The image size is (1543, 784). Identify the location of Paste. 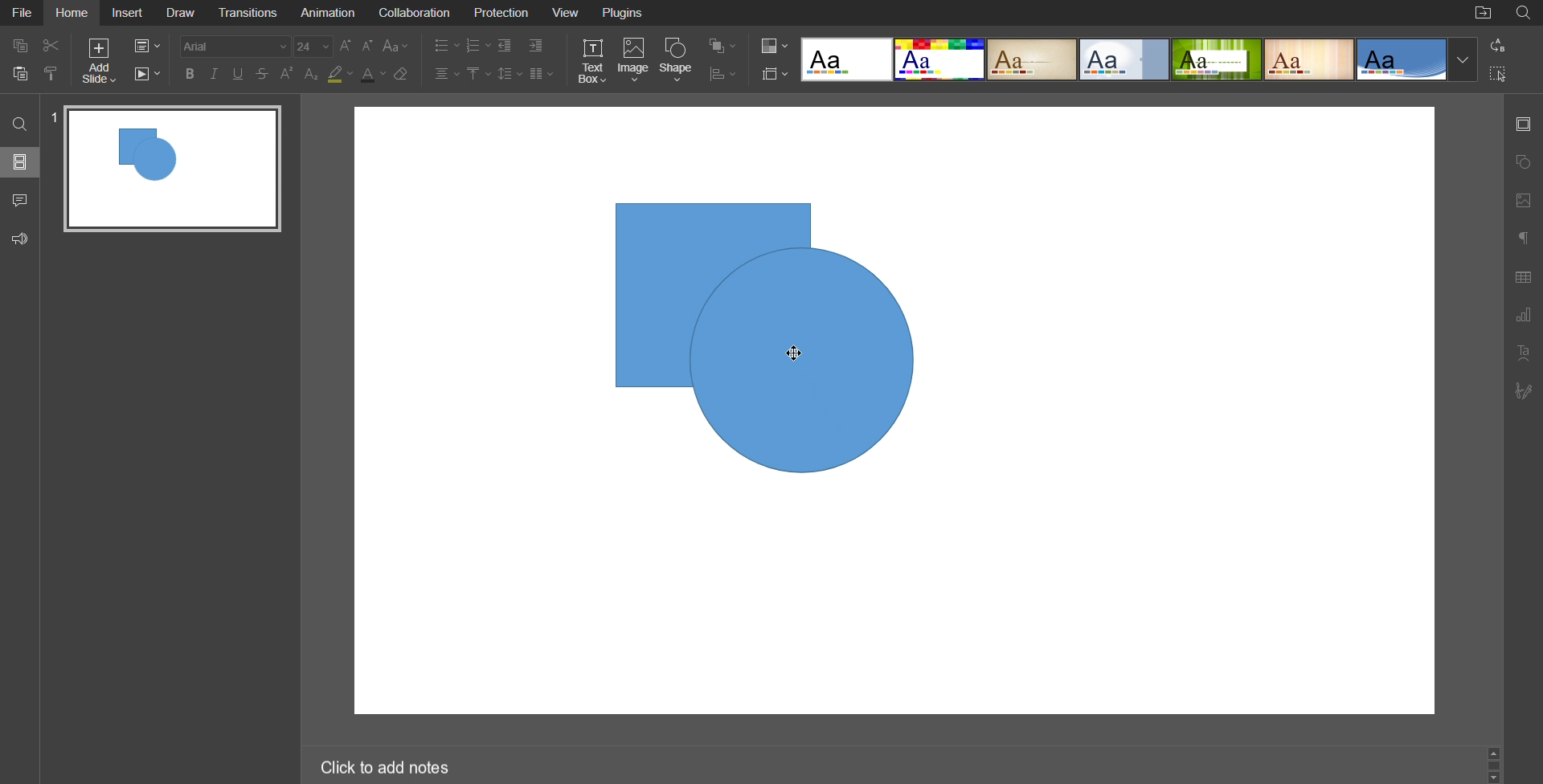
(18, 76).